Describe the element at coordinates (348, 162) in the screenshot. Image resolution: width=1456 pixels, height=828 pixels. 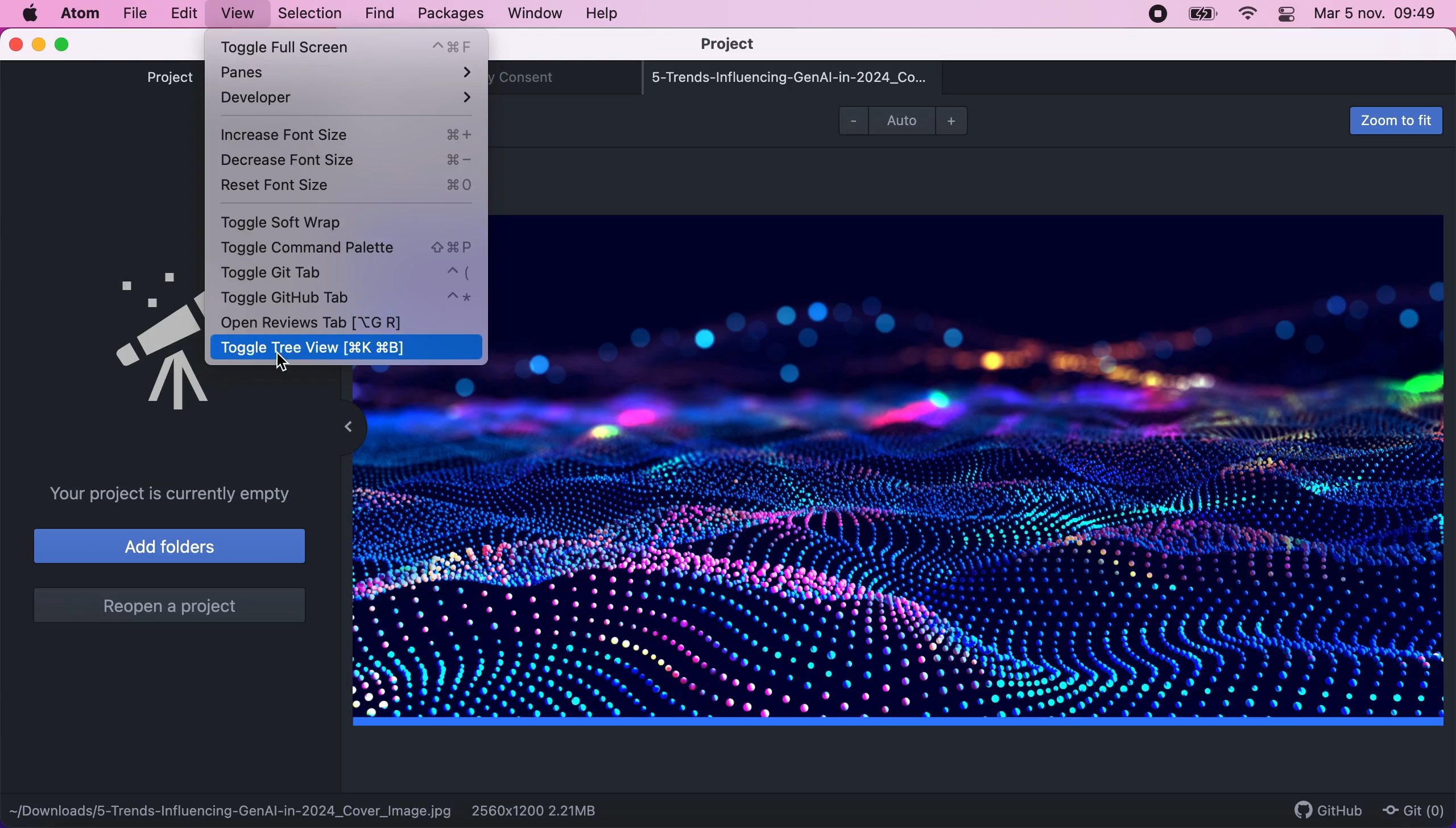
I see `decrease font size` at that location.